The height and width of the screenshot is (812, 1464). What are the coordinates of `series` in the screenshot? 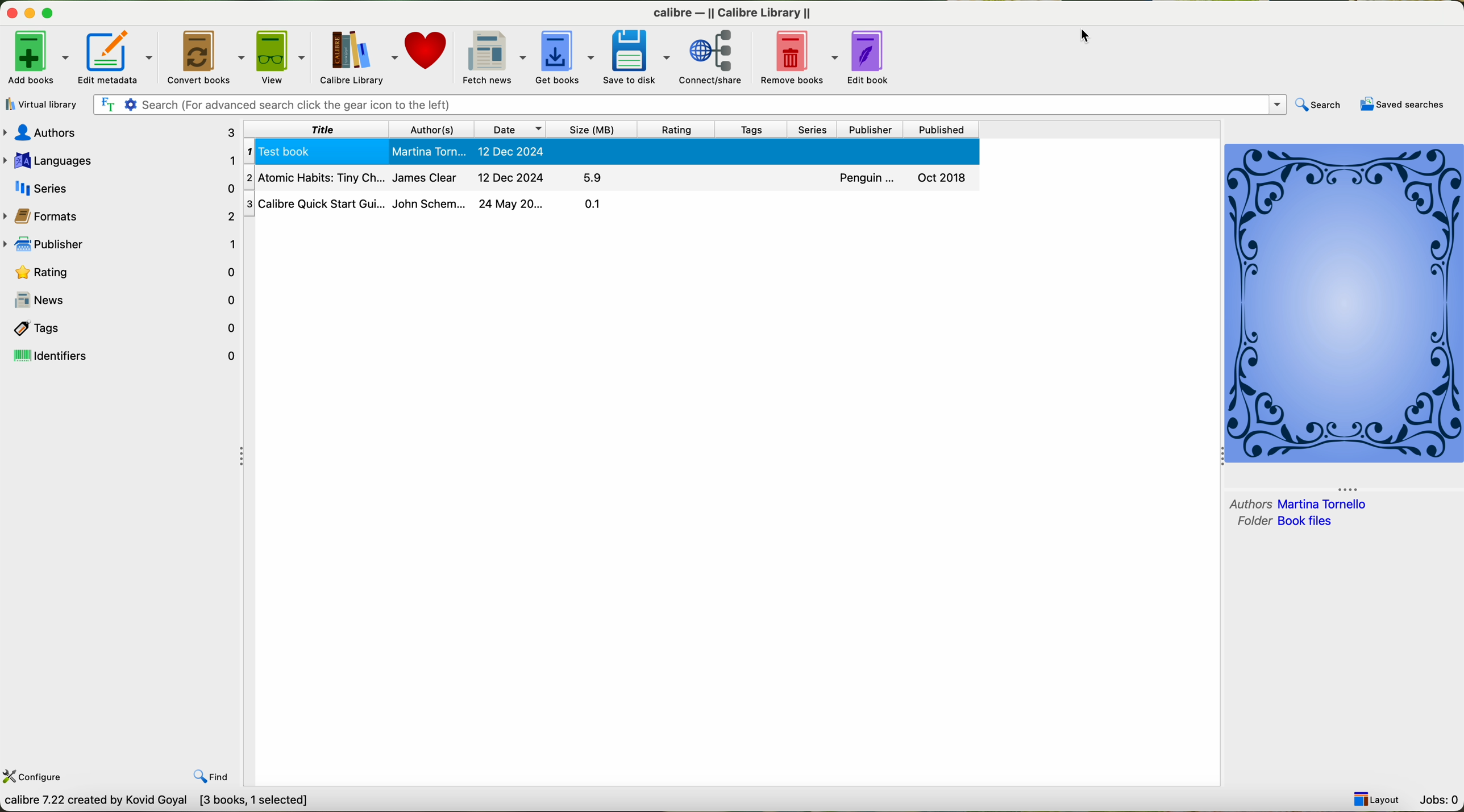 It's located at (819, 128).